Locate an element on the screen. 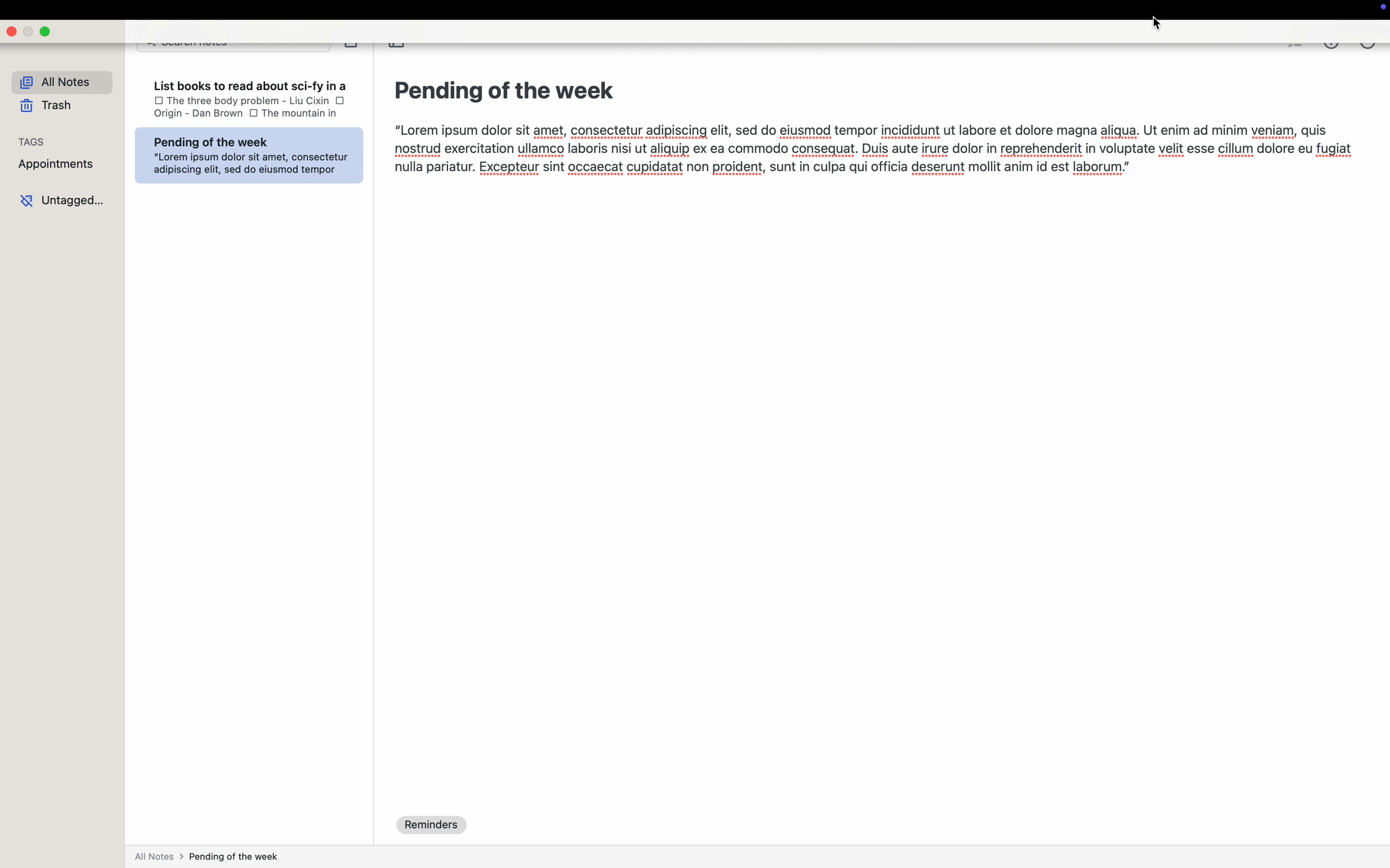  toggle sidebar is located at coordinates (396, 48).